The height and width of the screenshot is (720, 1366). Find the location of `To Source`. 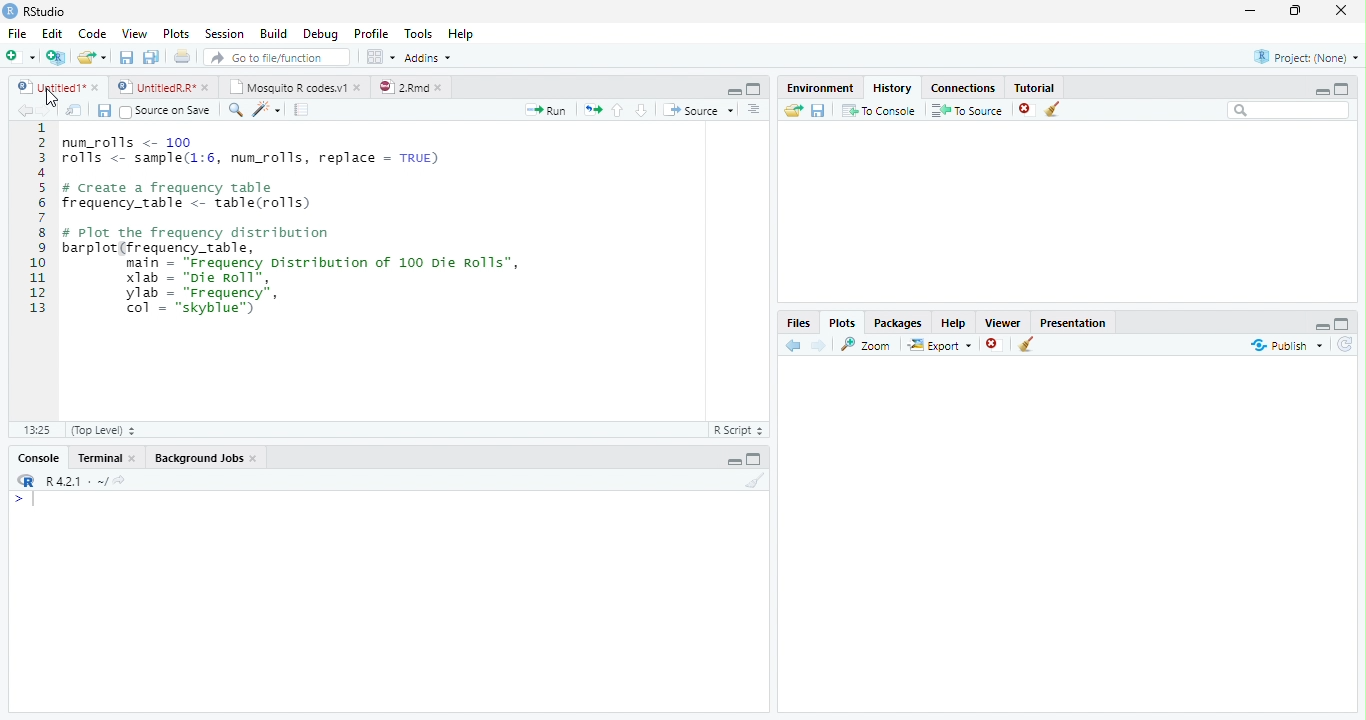

To Source is located at coordinates (967, 110).